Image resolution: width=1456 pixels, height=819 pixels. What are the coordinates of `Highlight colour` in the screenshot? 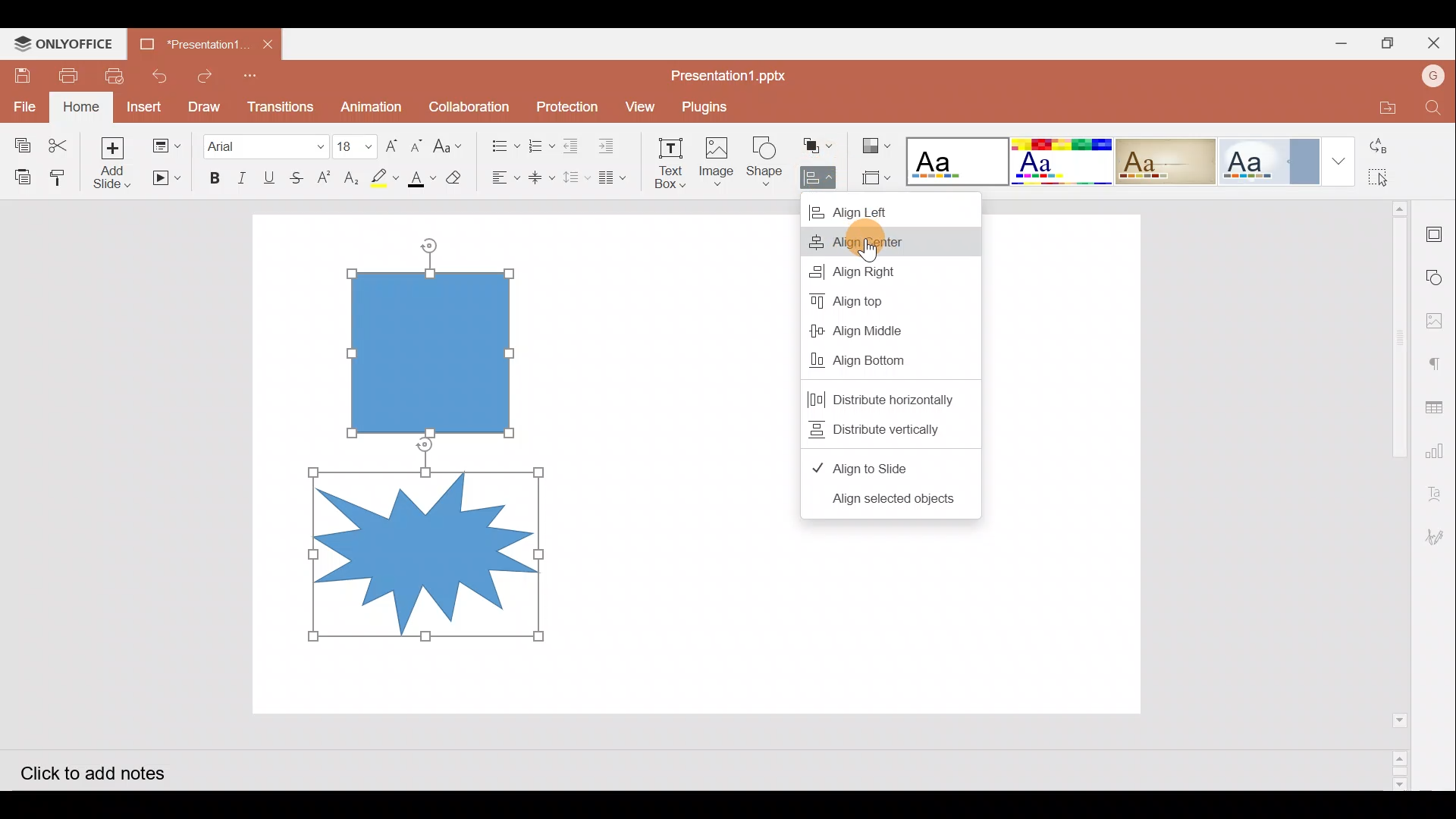 It's located at (388, 176).